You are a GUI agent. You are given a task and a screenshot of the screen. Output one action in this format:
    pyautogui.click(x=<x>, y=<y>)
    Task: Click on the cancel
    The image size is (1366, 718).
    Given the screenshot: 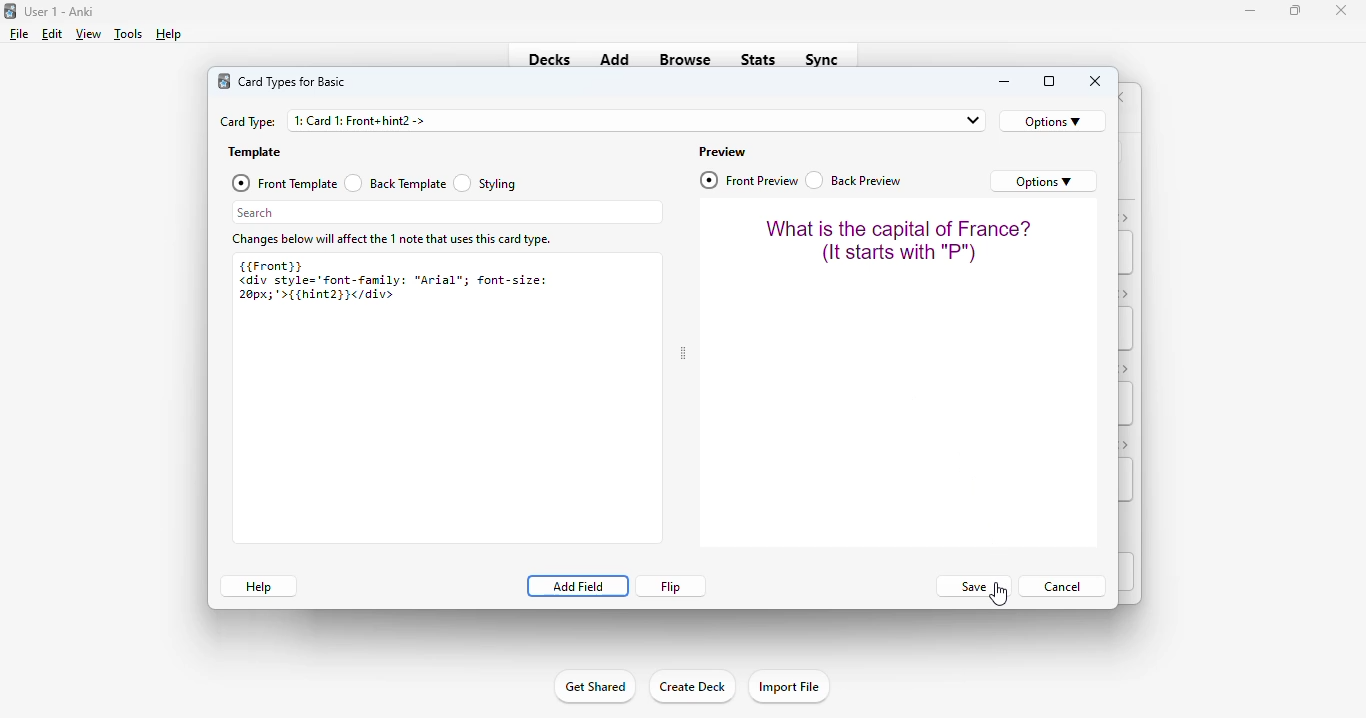 What is the action you would take?
    pyautogui.click(x=1062, y=585)
    